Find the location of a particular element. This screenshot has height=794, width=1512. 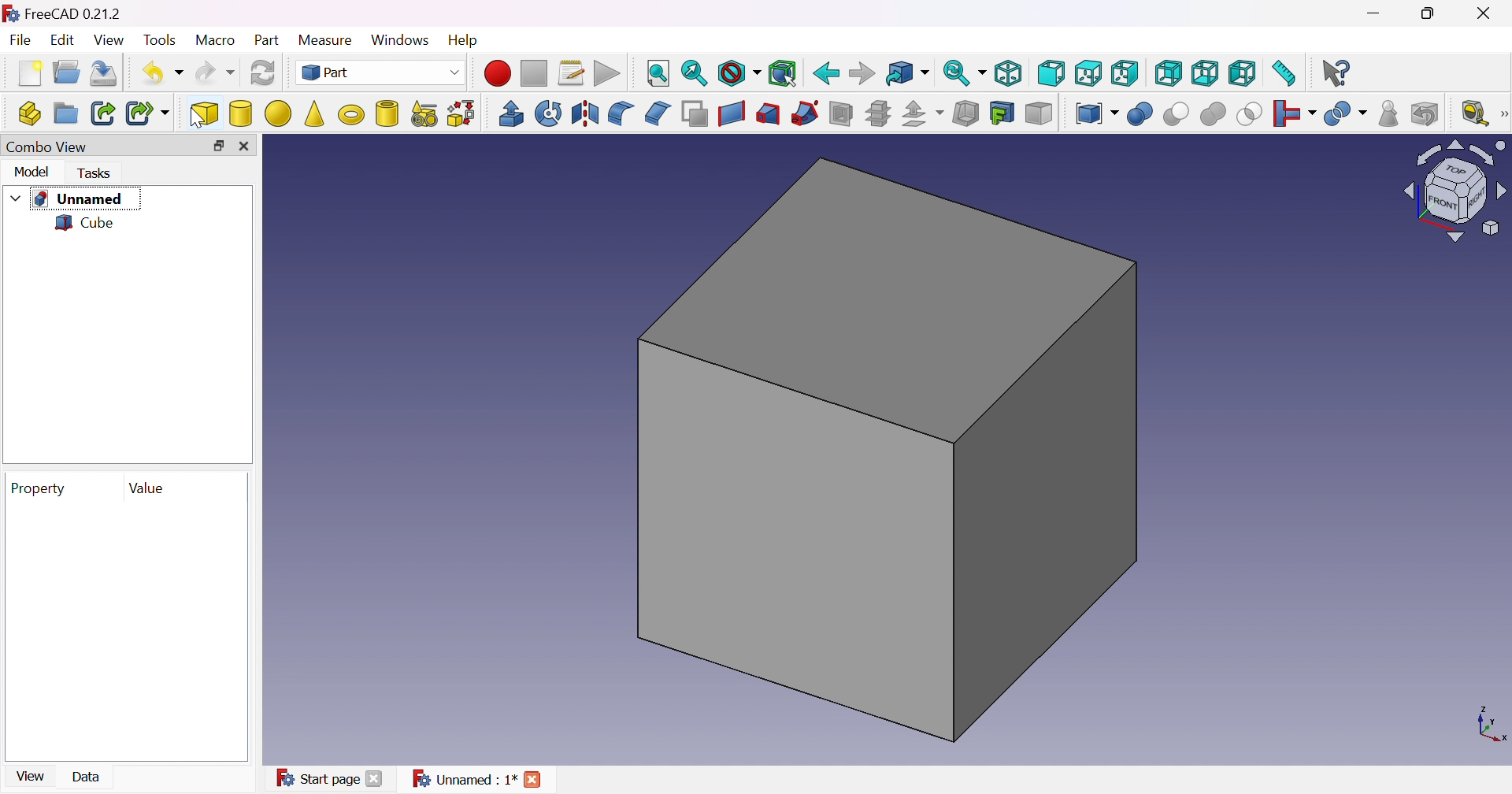

Front is located at coordinates (1051, 74).